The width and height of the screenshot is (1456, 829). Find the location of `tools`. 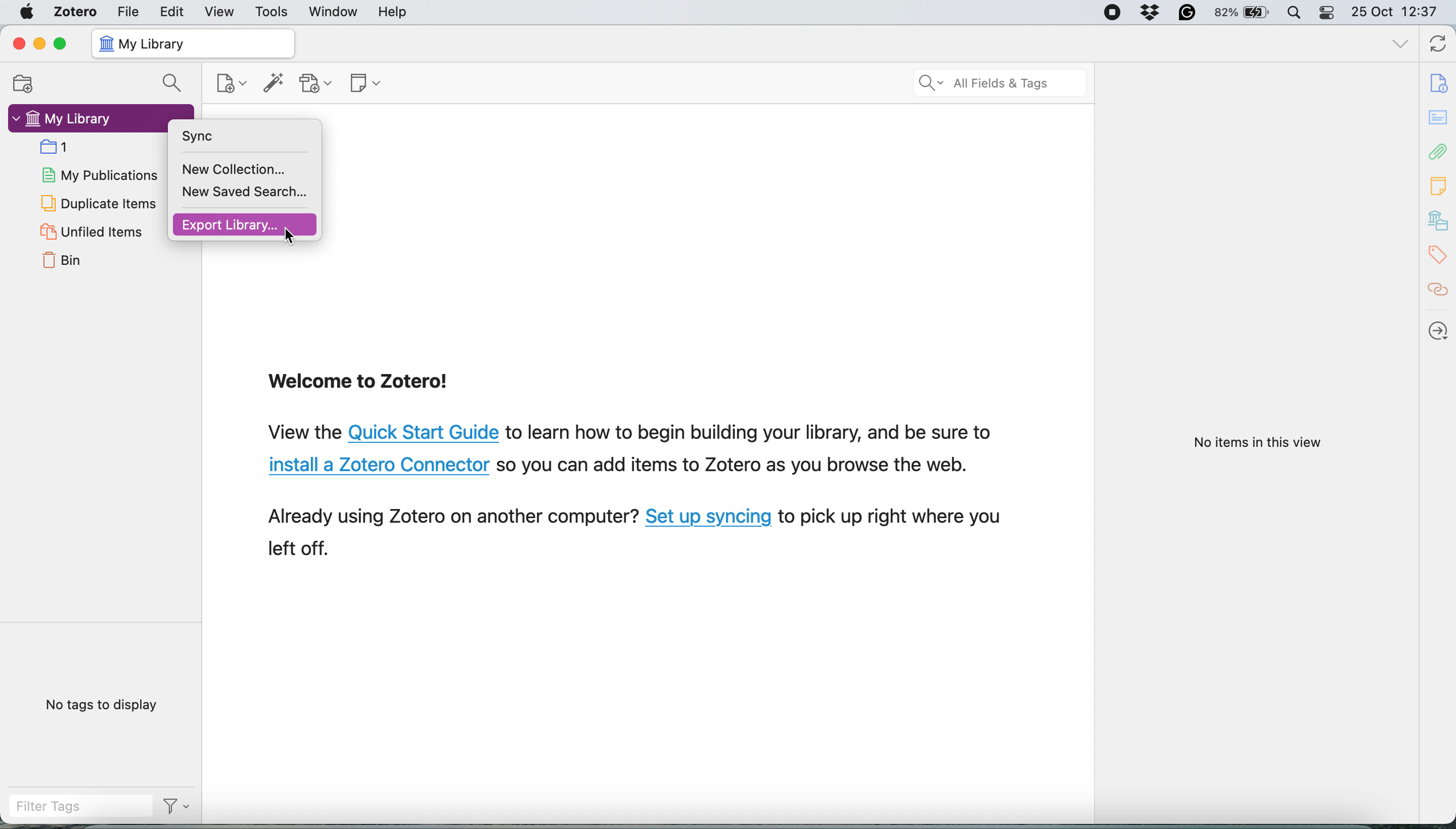

tools is located at coordinates (273, 12).